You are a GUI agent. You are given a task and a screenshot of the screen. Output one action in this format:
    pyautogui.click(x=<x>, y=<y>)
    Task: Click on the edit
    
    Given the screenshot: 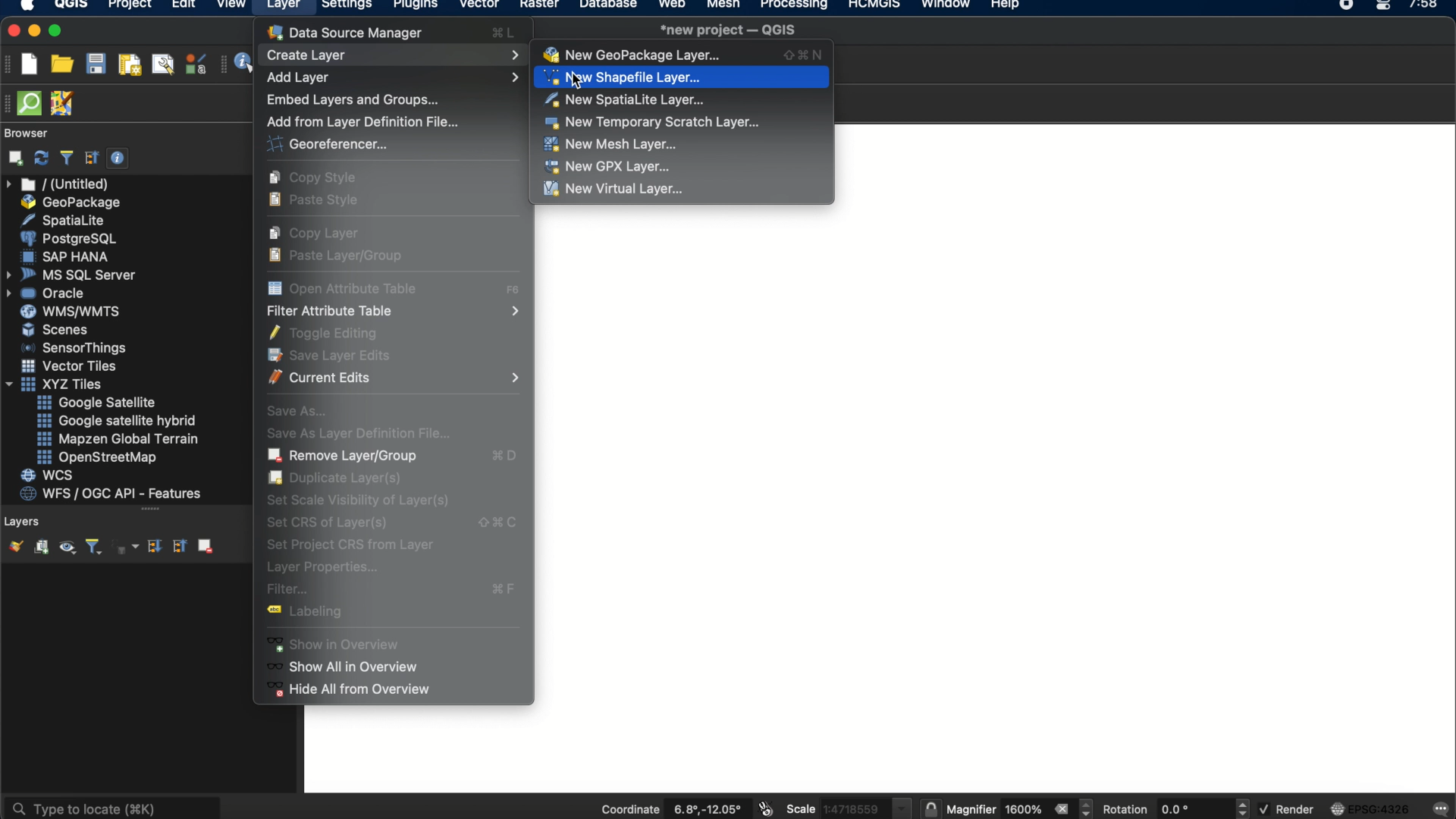 What is the action you would take?
    pyautogui.click(x=184, y=6)
    